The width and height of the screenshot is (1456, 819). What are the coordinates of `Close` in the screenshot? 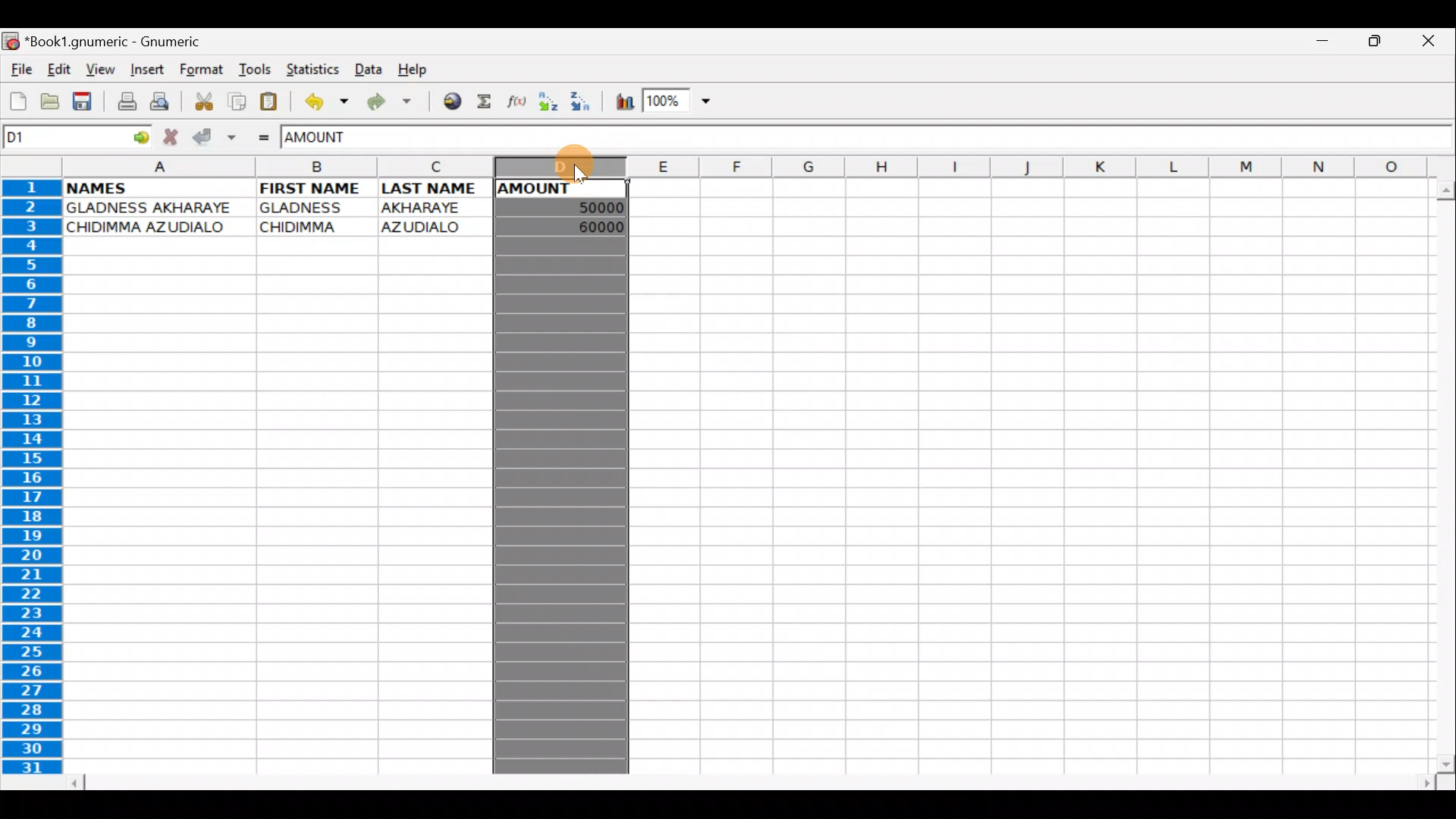 It's located at (1429, 39).